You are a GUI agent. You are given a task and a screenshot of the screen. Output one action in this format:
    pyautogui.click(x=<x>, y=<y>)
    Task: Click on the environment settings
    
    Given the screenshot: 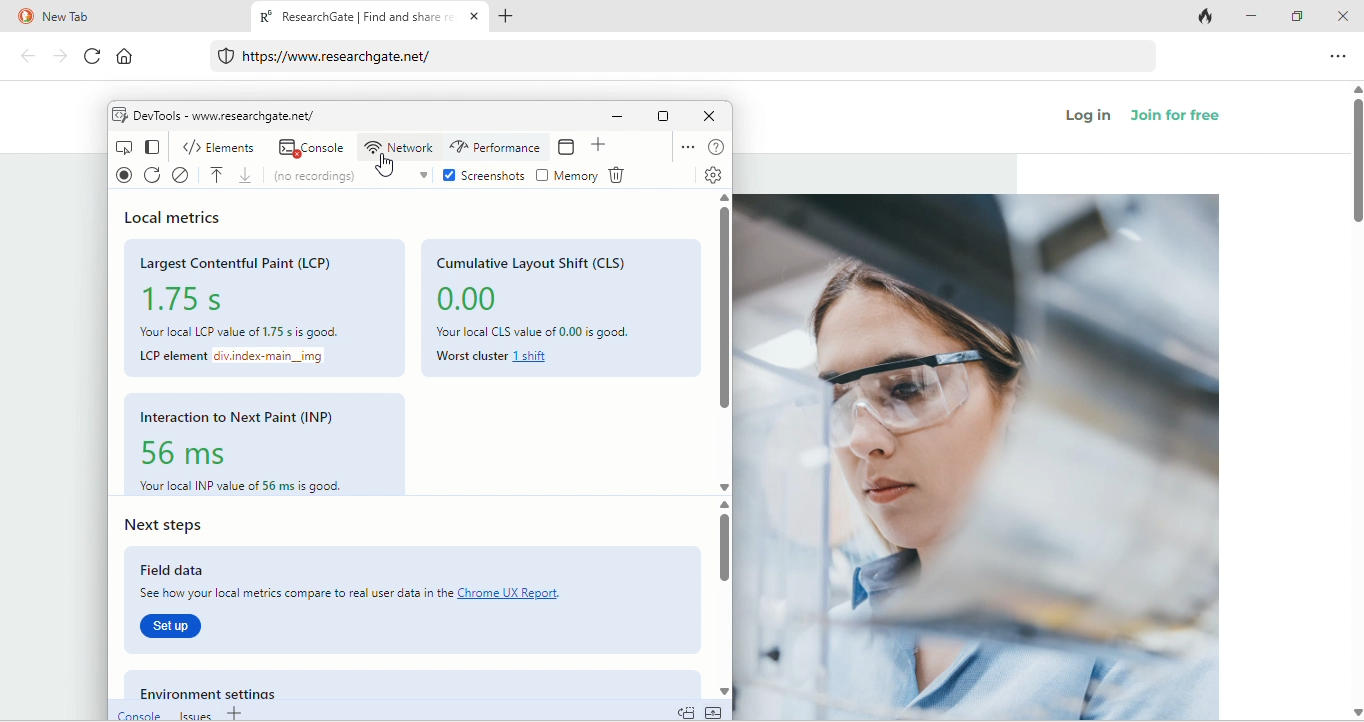 What is the action you would take?
    pyautogui.click(x=232, y=691)
    